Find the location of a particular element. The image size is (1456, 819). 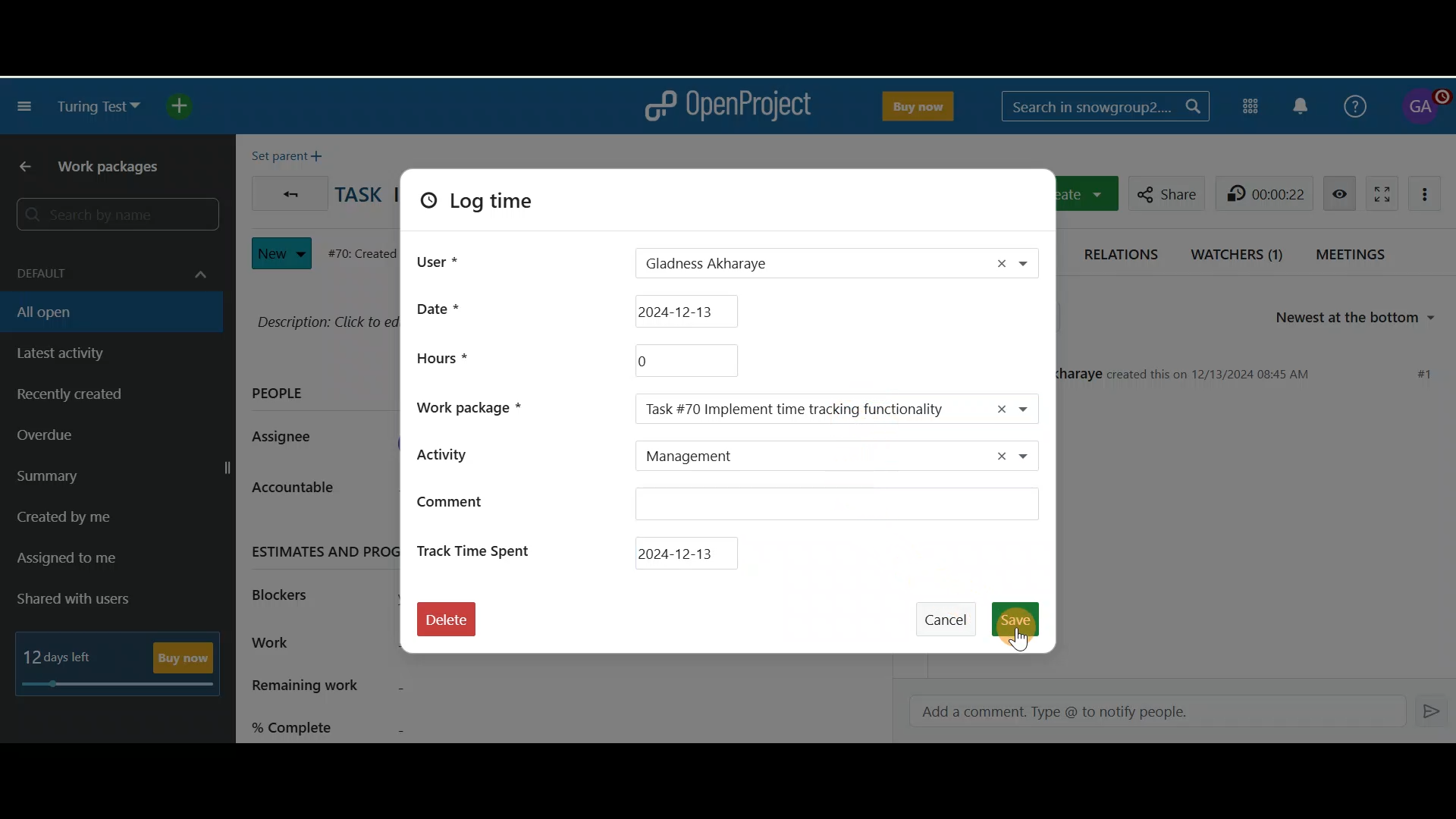

00:00:06 is located at coordinates (1268, 193).